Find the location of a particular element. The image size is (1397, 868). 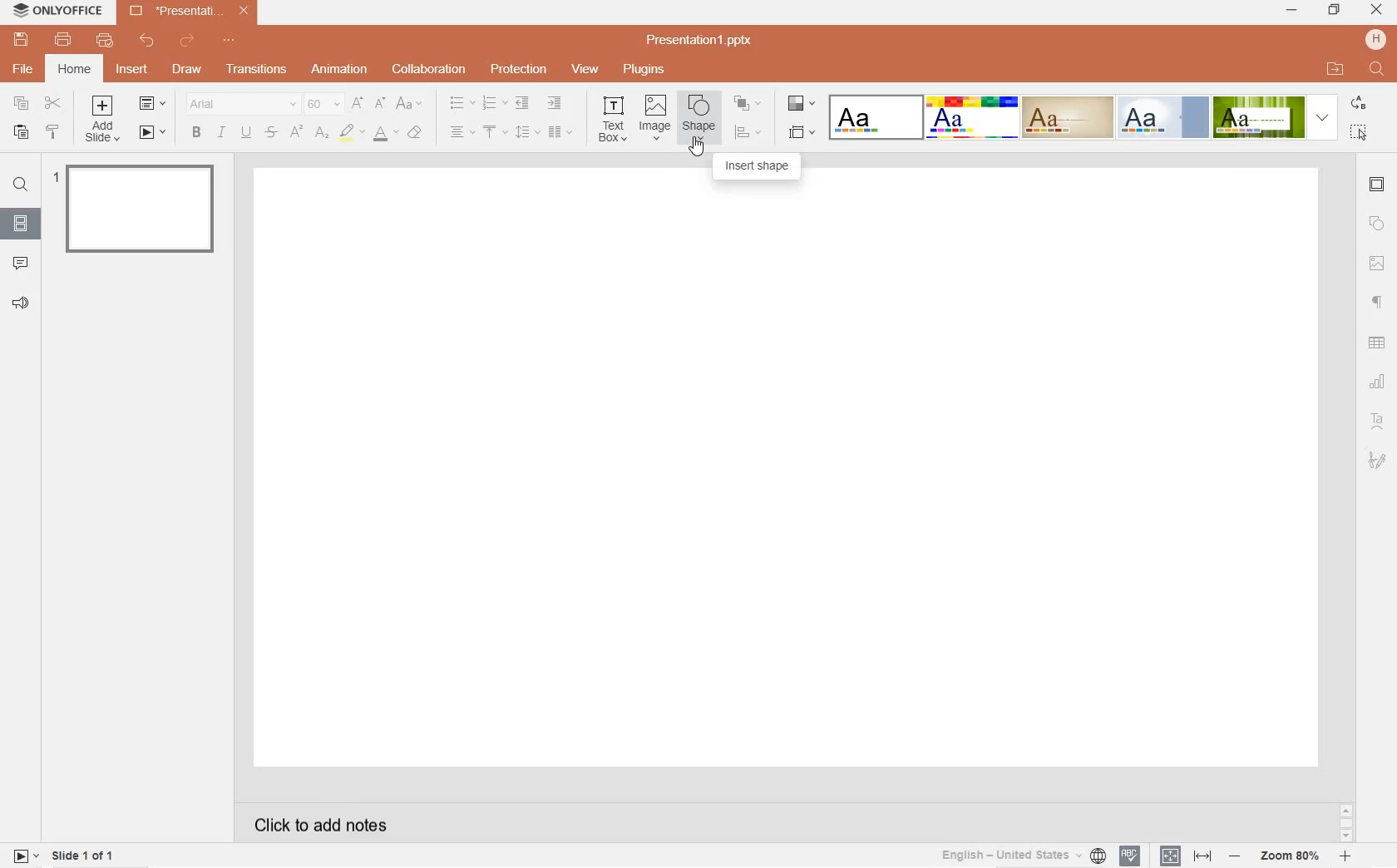

REPLACE is located at coordinates (1358, 104).